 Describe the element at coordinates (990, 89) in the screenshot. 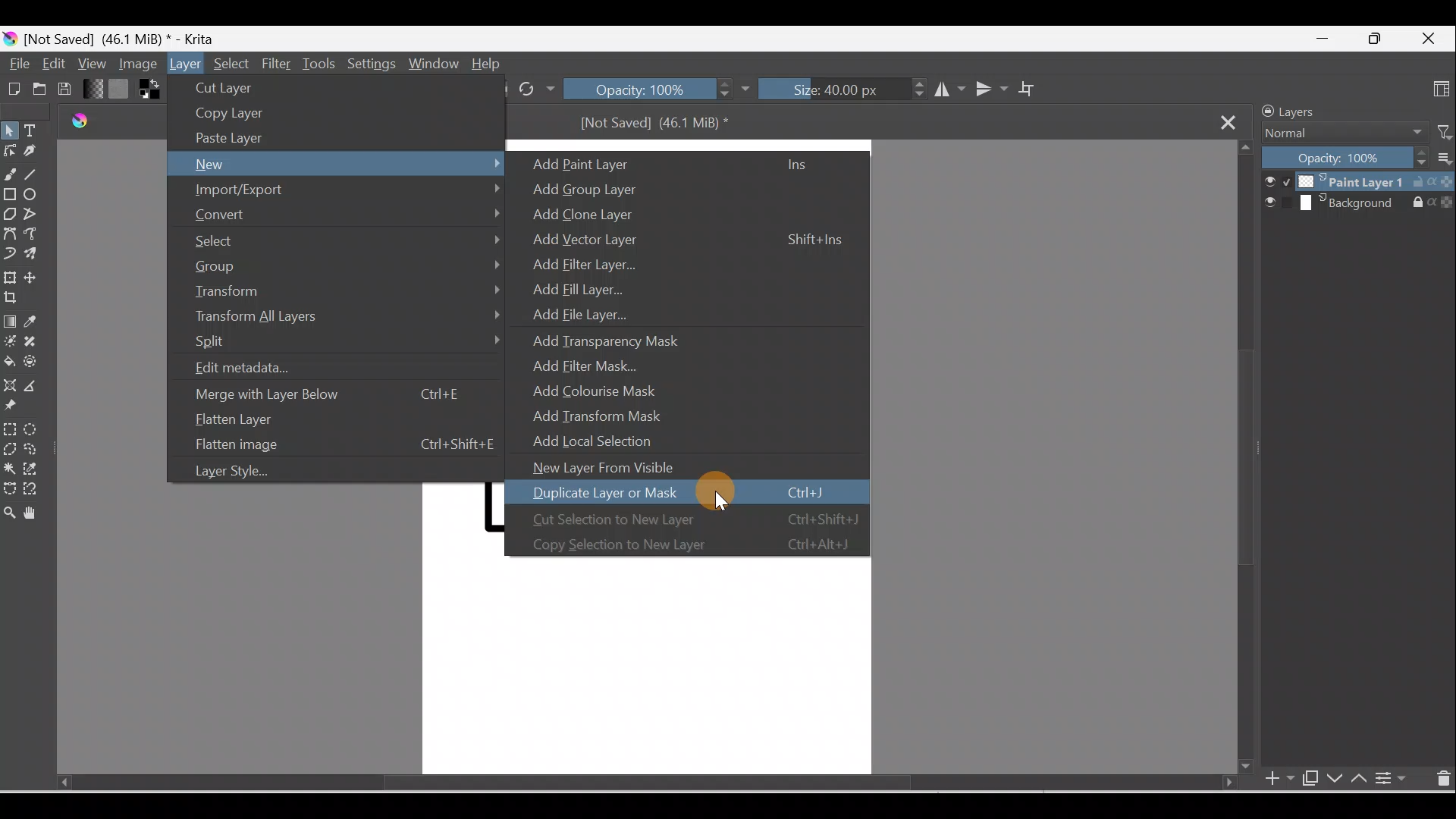

I see `Vertical mirror tool` at that location.